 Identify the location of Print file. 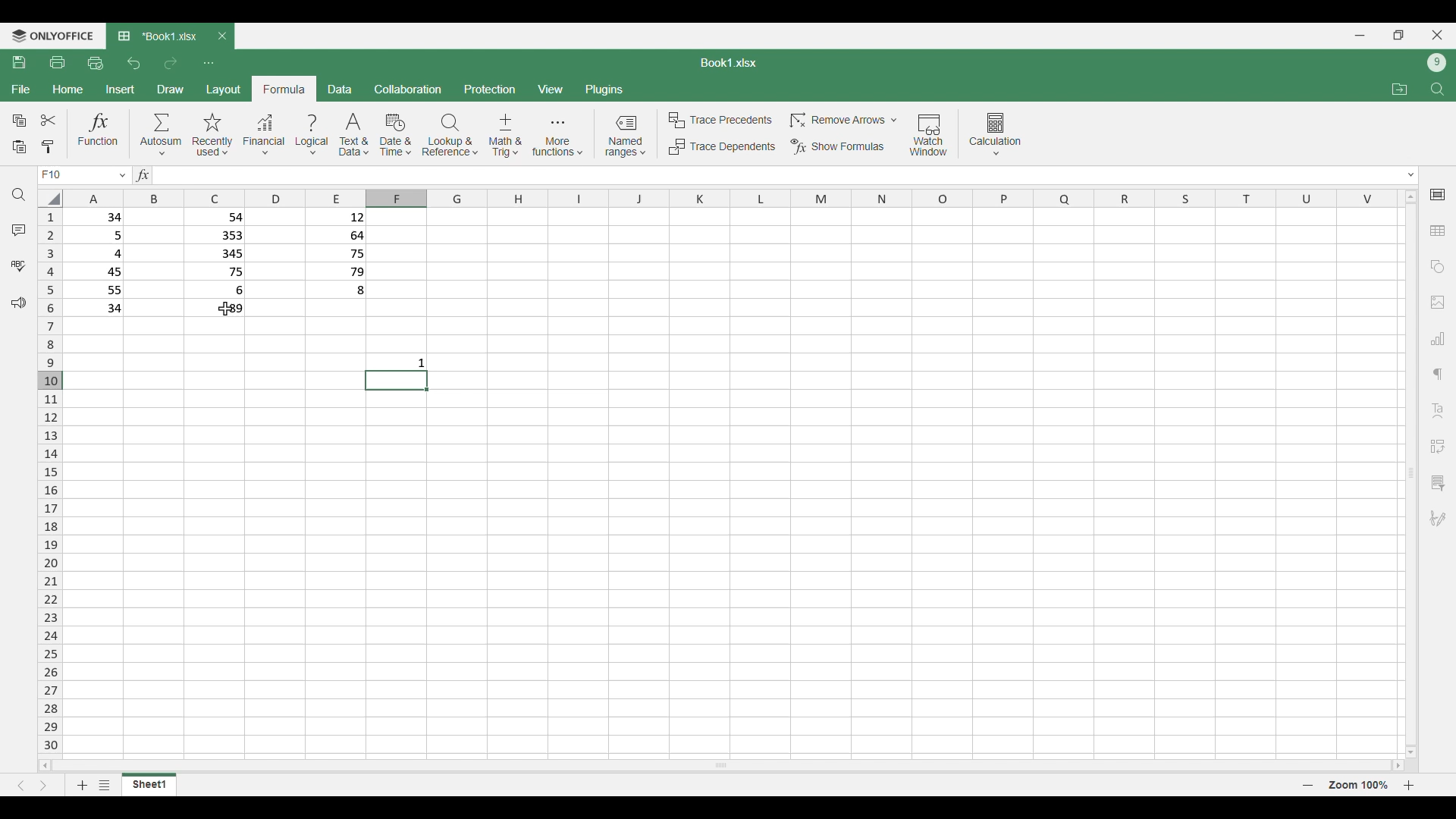
(58, 63).